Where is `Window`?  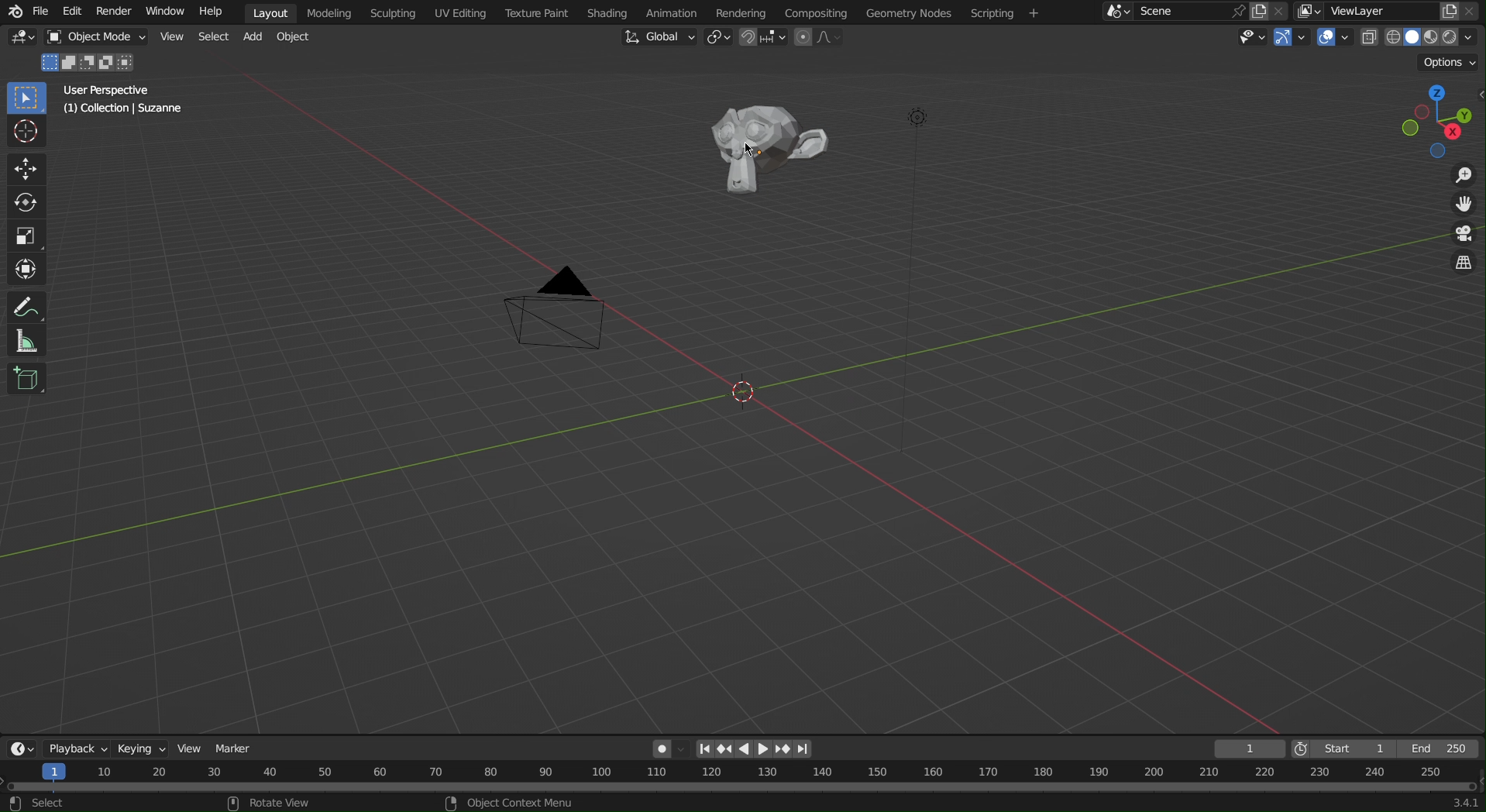 Window is located at coordinates (165, 12).